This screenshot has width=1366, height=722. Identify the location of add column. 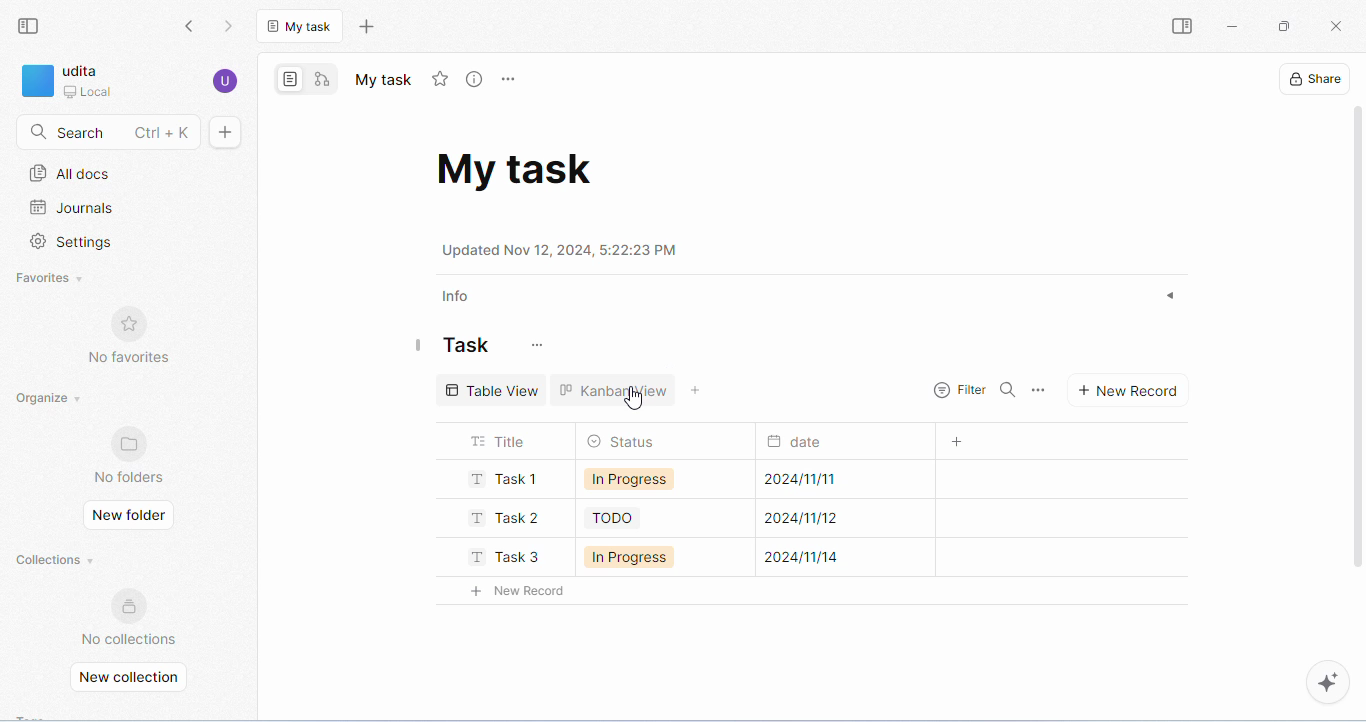
(955, 442).